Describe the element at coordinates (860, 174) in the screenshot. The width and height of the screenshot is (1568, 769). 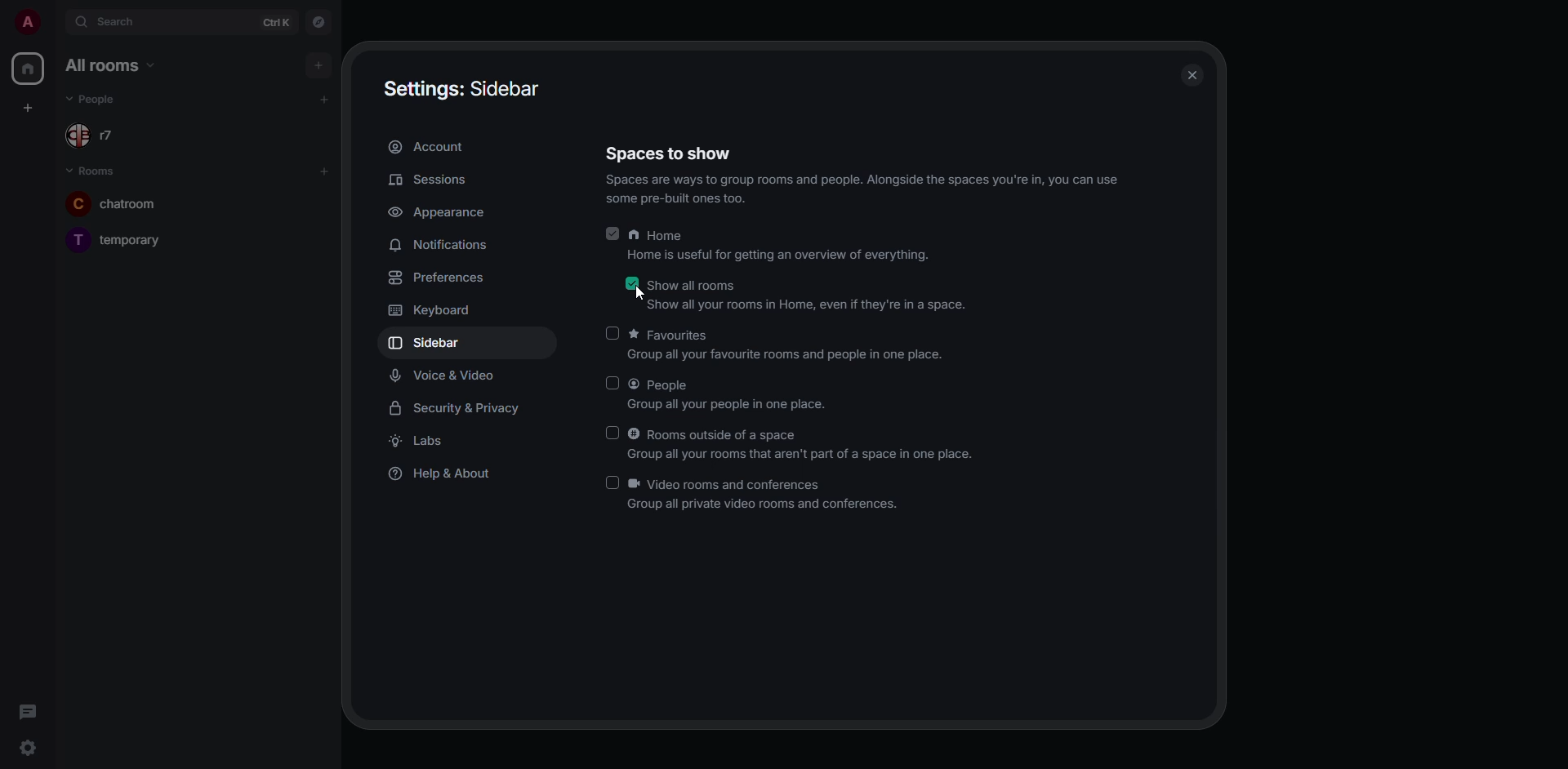
I see `spaces to show` at that location.